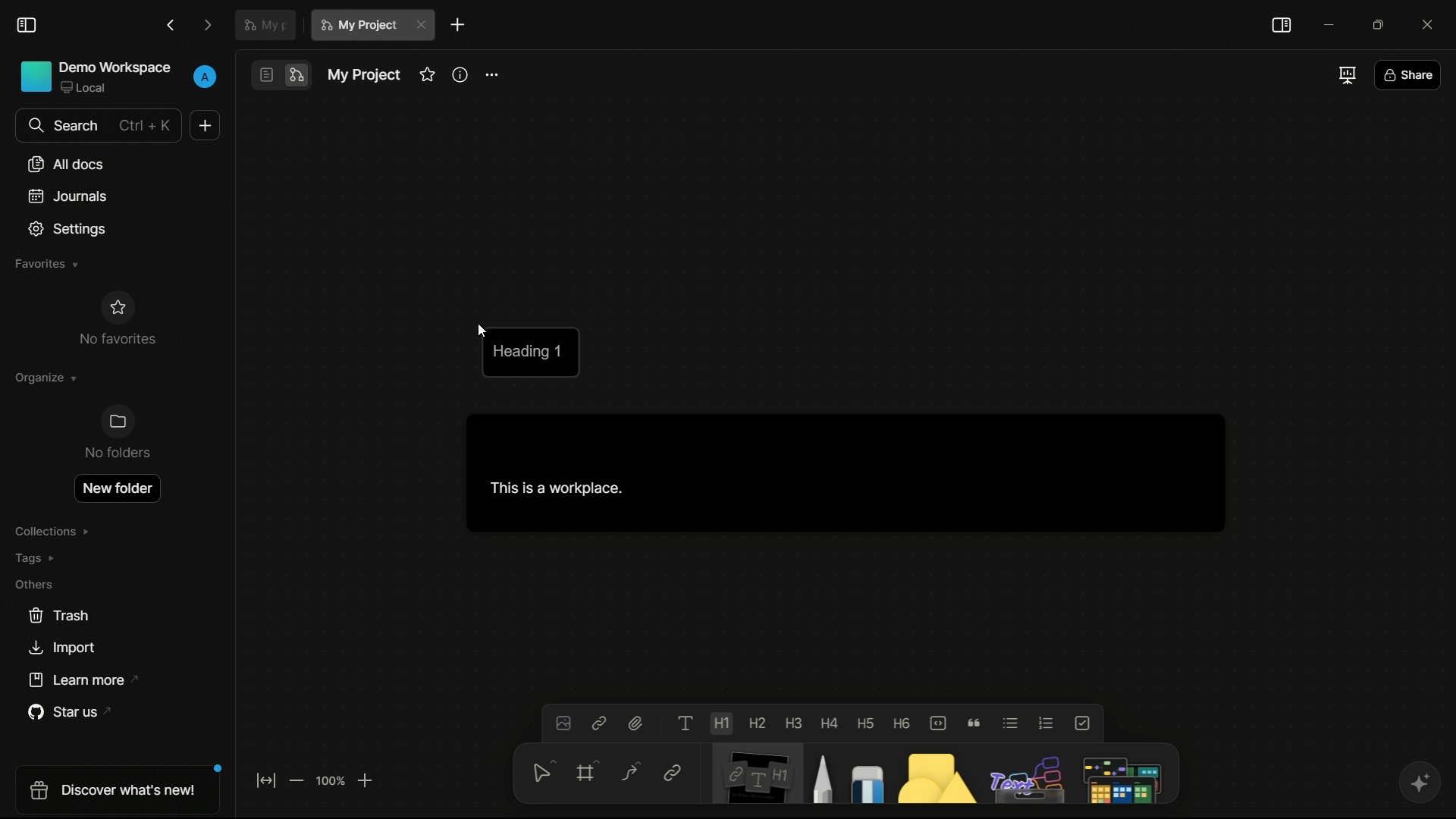  Describe the element at coordinates (1005, 720) in the screenshot. I see `bulleted list` at that location.